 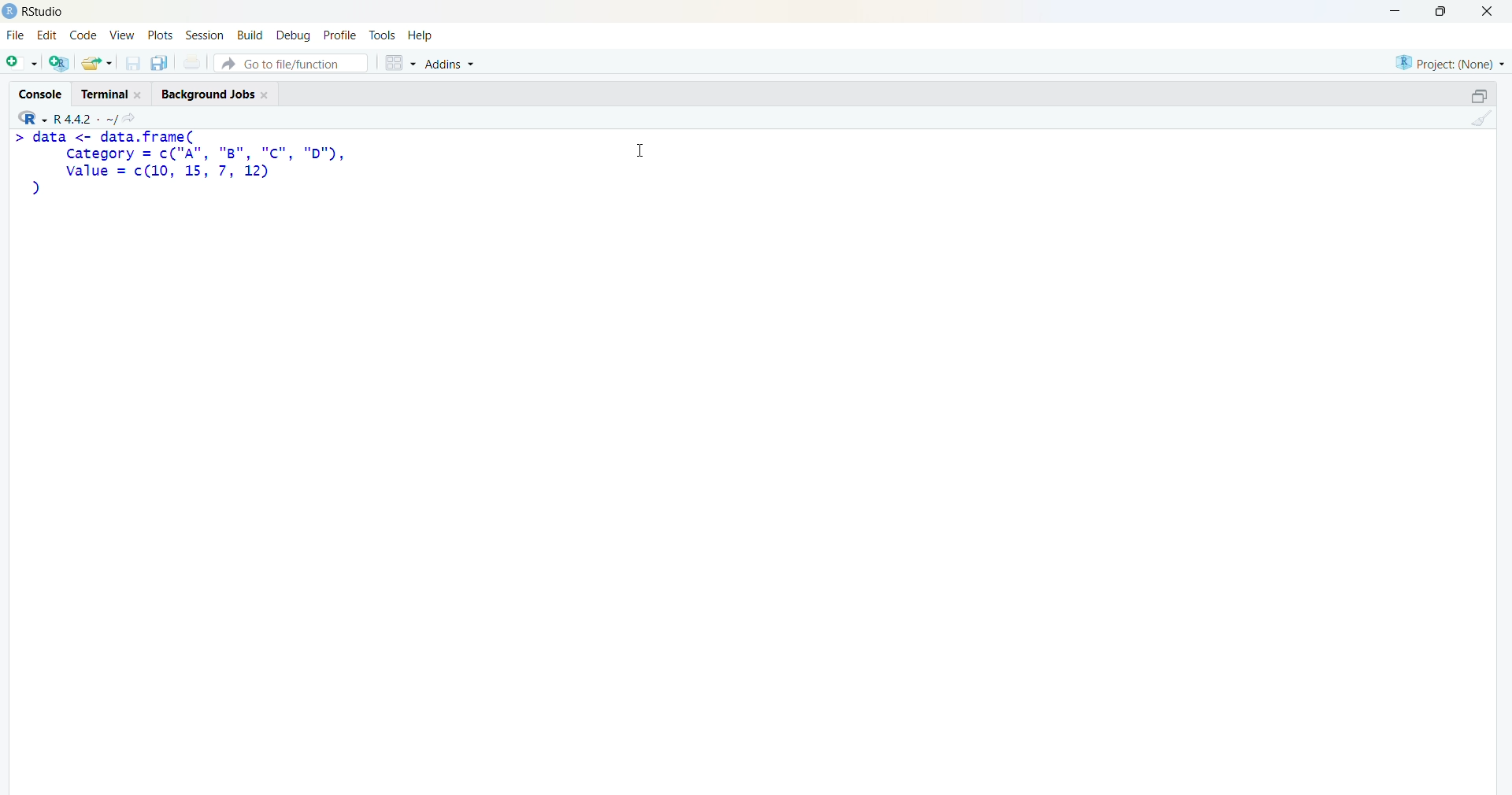 I want to click on Background Jobs, so click(x=214, y=91).